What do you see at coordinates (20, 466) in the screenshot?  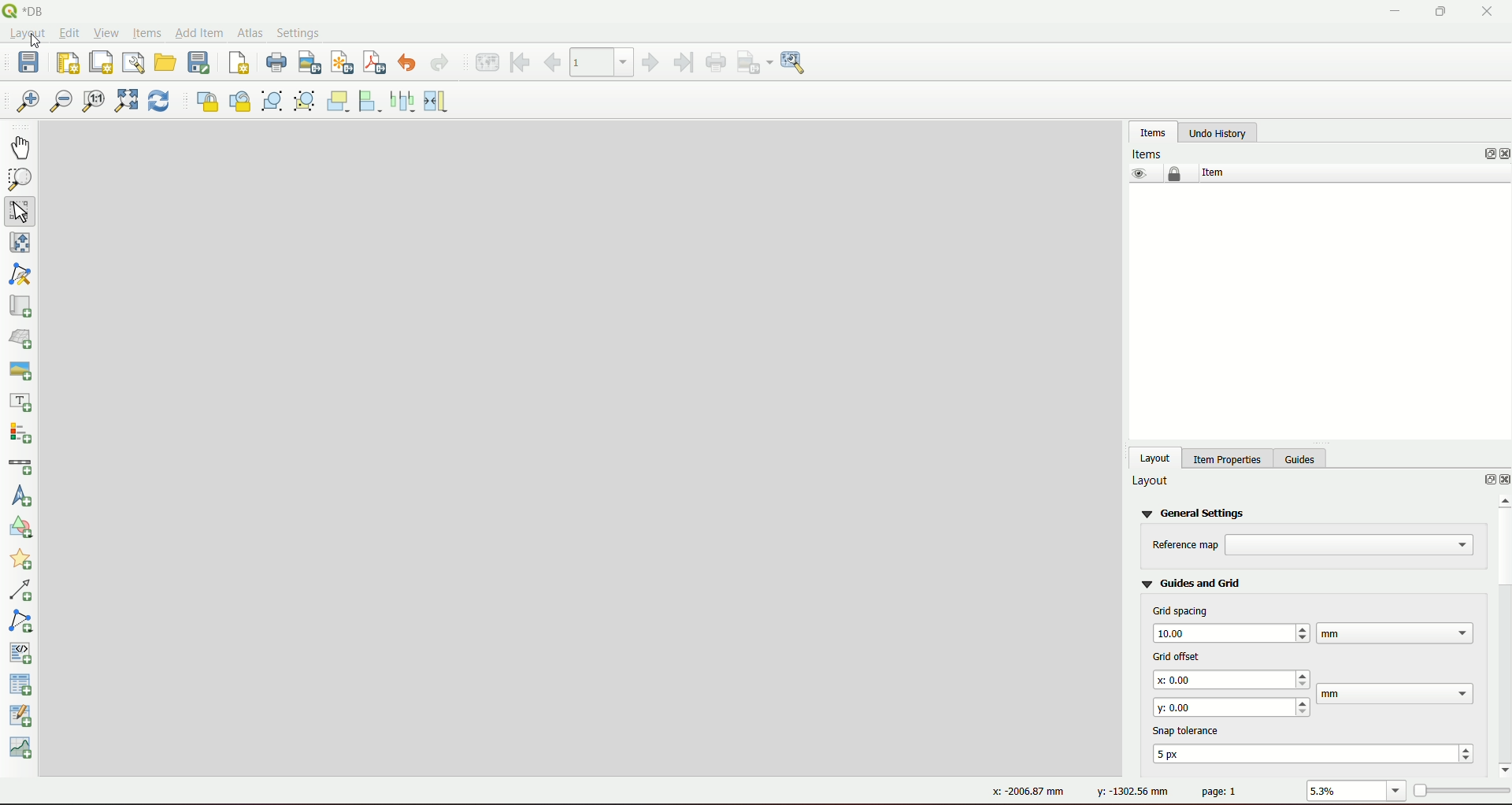 I see `add scale bar` at bounding box center [20, 466].